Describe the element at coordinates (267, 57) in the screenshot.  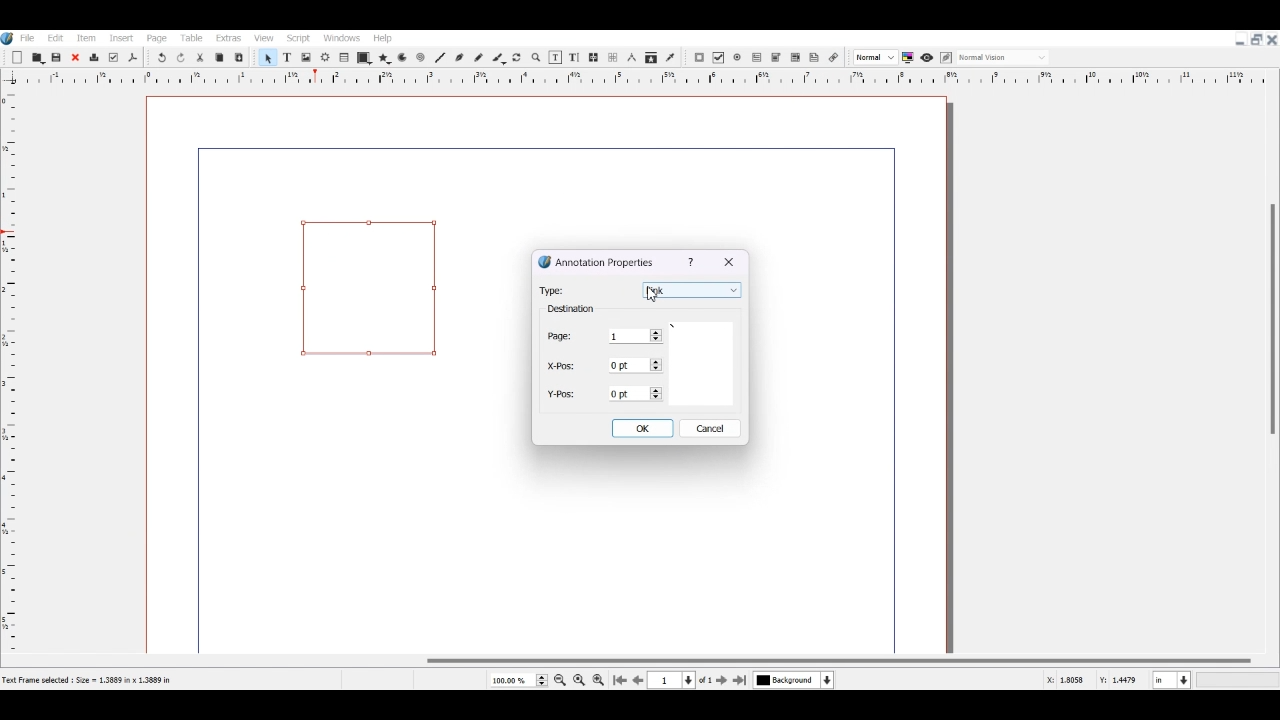
I see `Select Item` at that location.